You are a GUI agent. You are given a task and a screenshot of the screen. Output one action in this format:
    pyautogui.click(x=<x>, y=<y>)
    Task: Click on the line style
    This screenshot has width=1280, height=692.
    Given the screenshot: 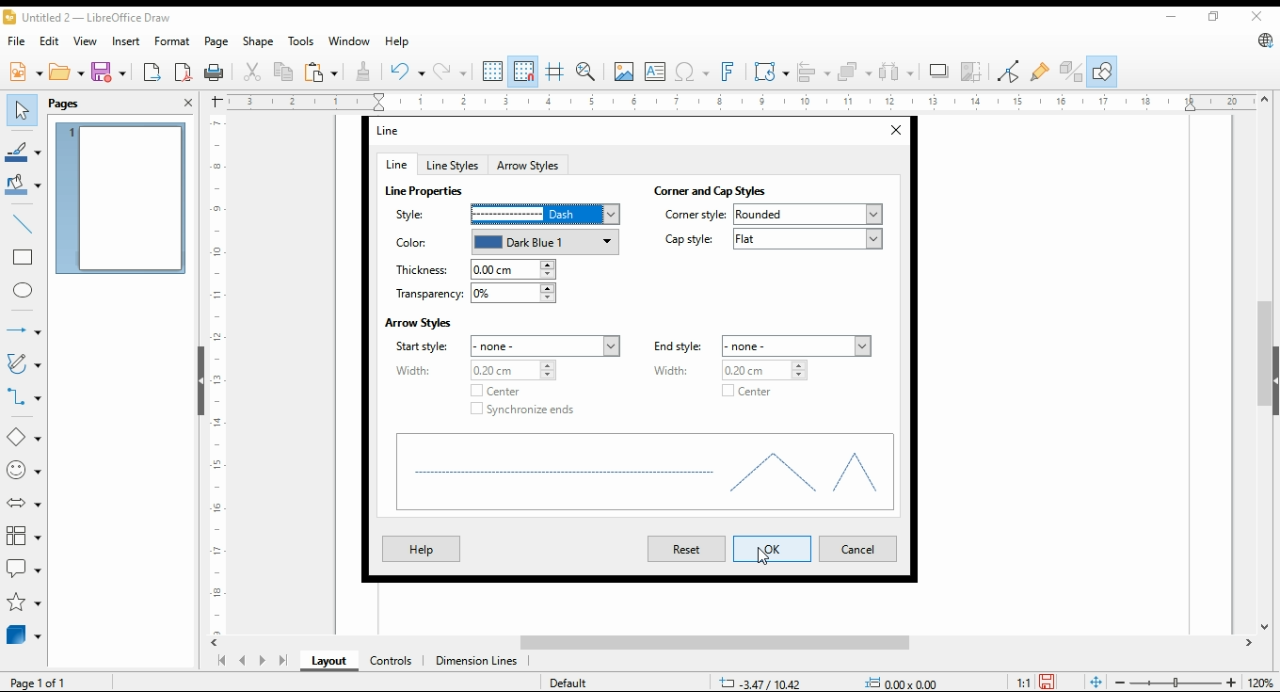 What is the action you would take?
    pyautogui.click(x=503, y=214)
    